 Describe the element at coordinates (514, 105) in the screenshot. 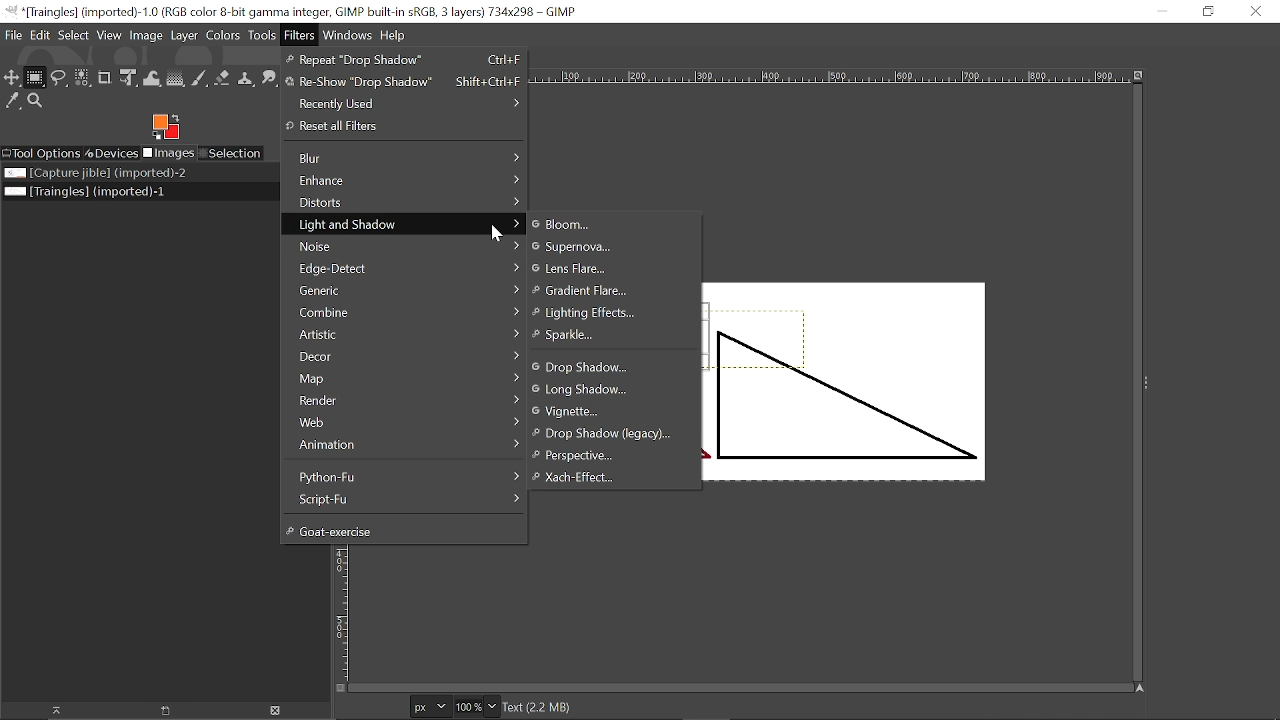

I see `>` at that location.